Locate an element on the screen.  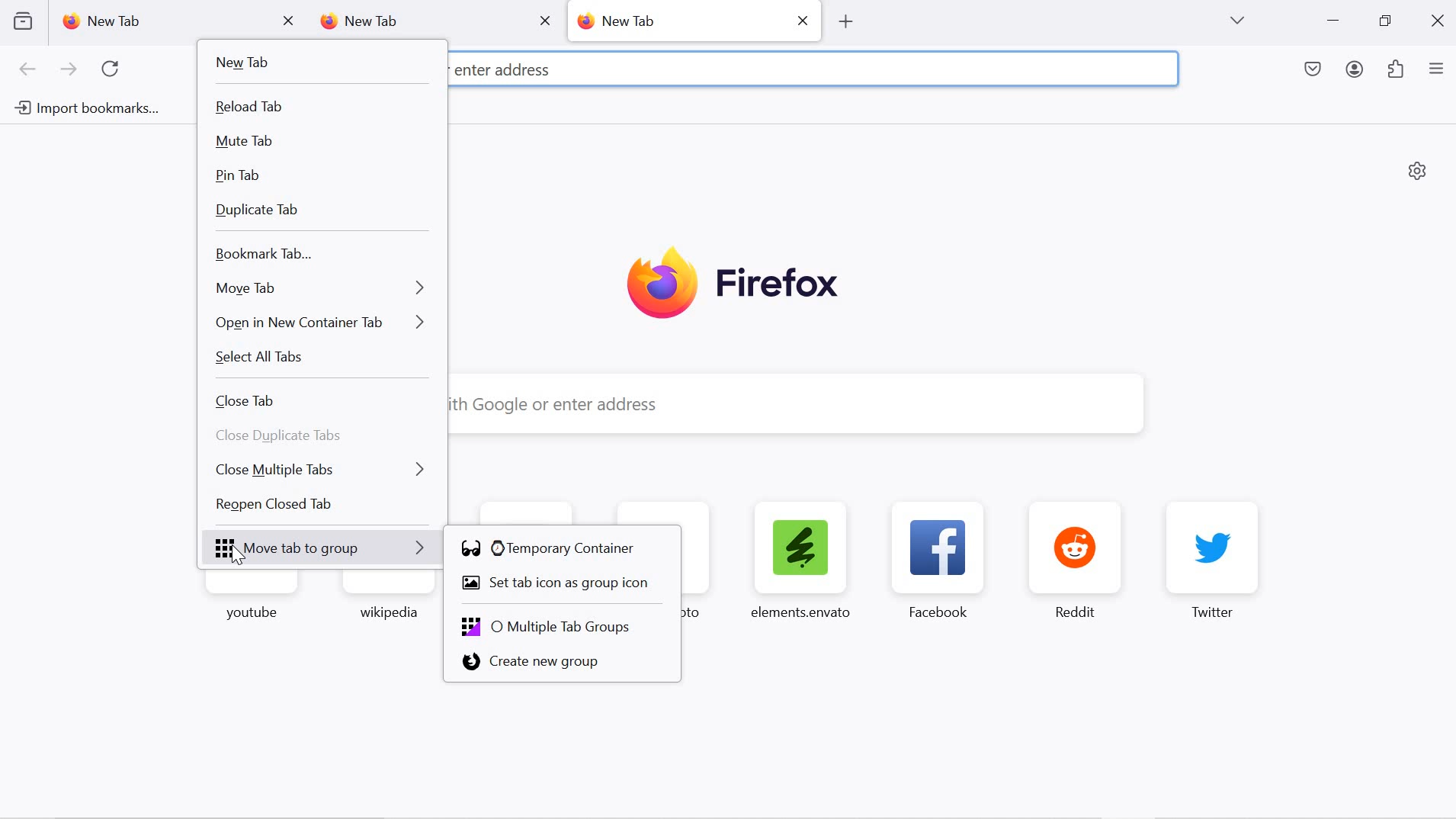
new tab is located at coordinates (678, 20).